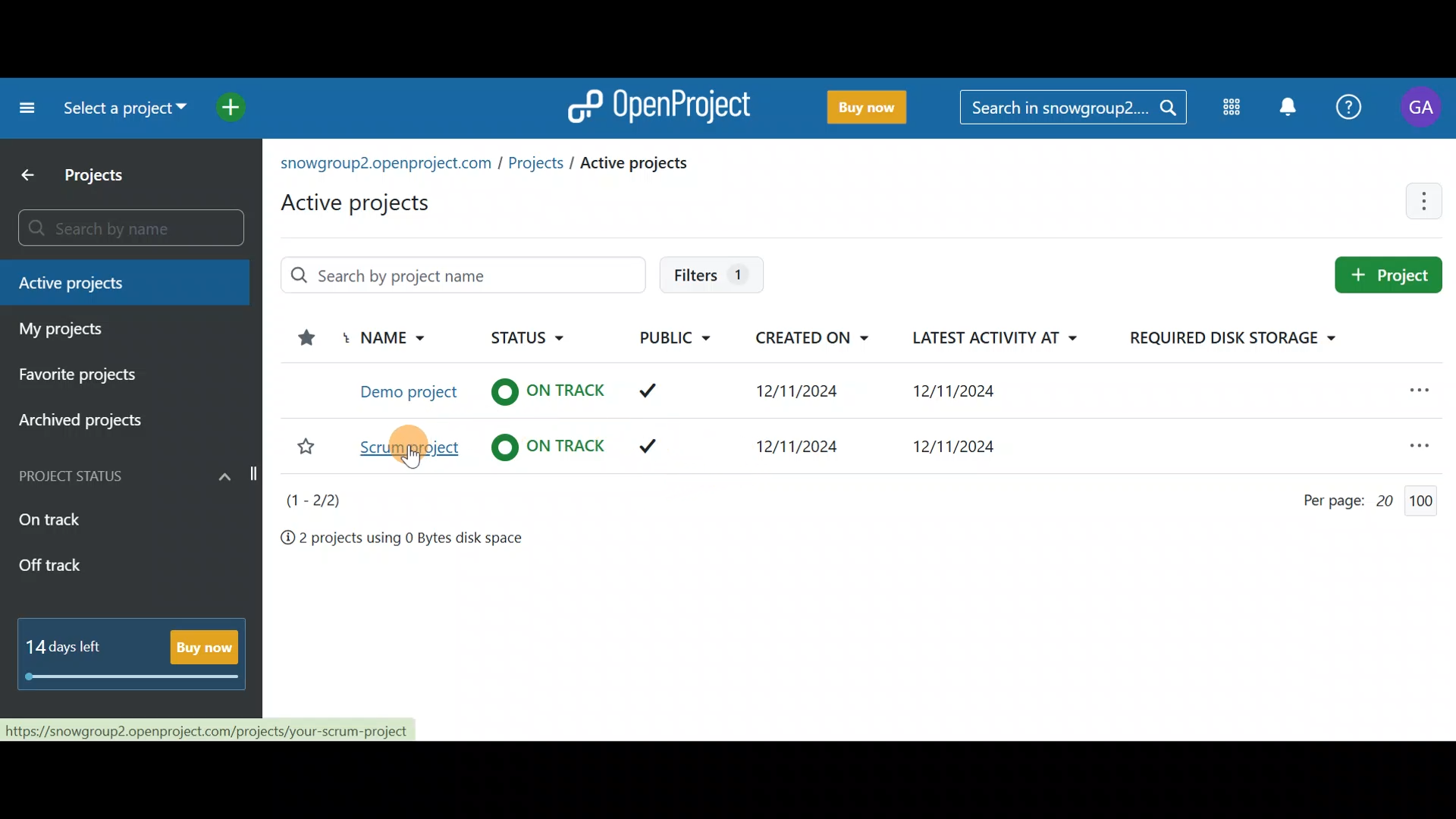 This screenshot has height=819, width=1456. Describe the element at coordinates (545, 390) in the screenshot. I see `status` at that location.